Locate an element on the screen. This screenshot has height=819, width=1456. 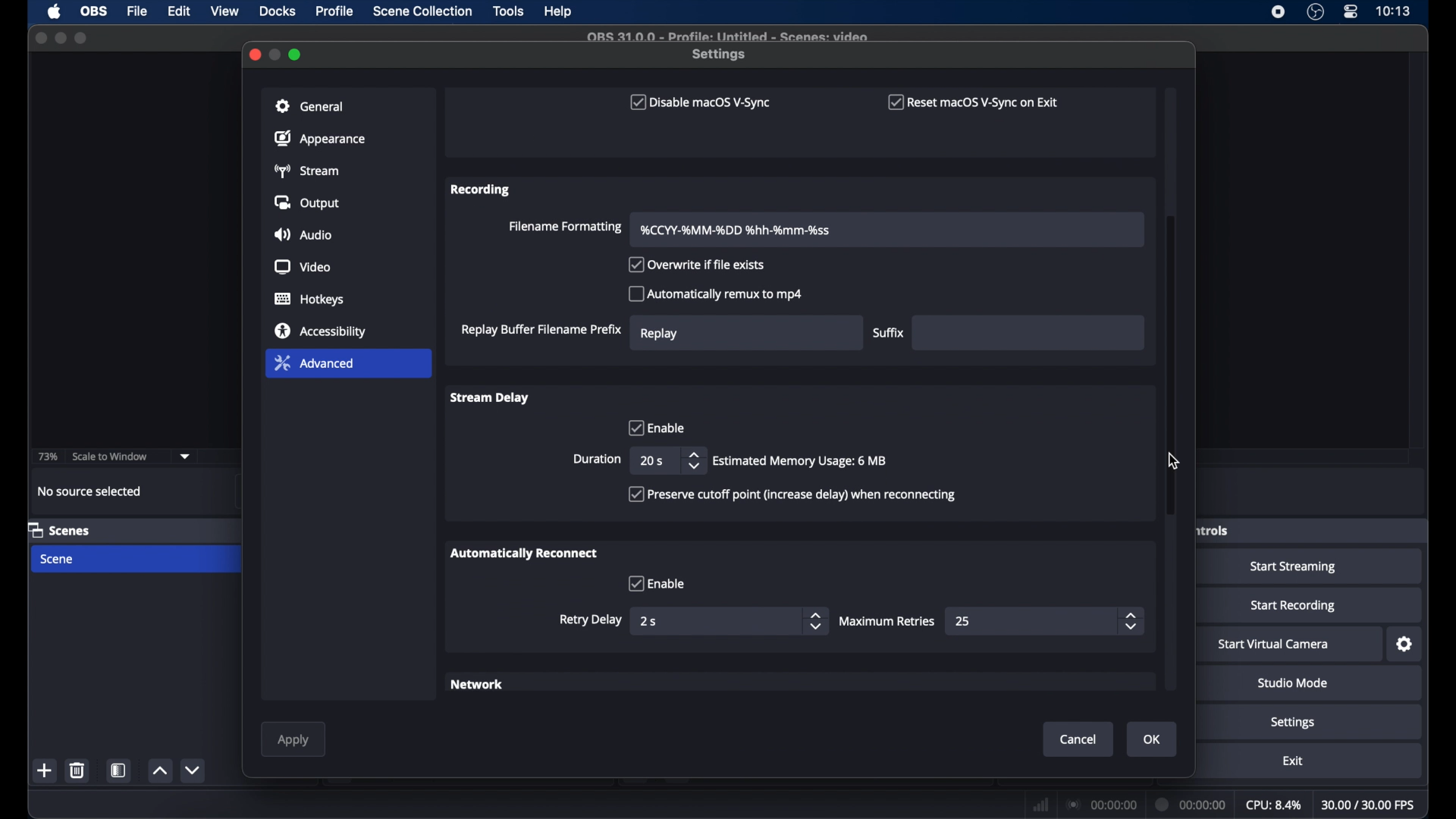
ok is located at coordinates (1153, 739).